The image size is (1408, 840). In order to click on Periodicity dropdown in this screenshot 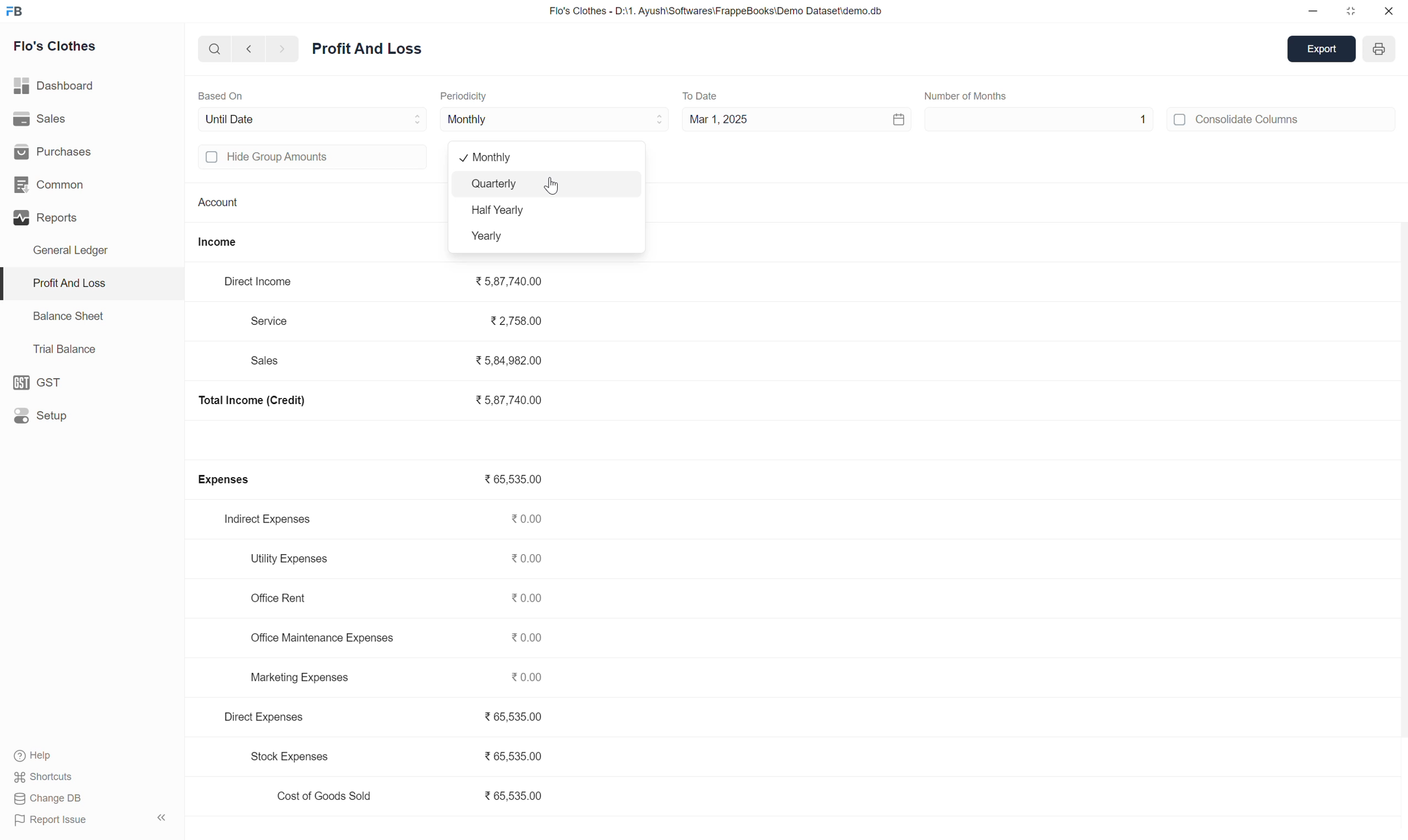, I will do `click(630, 119)`.